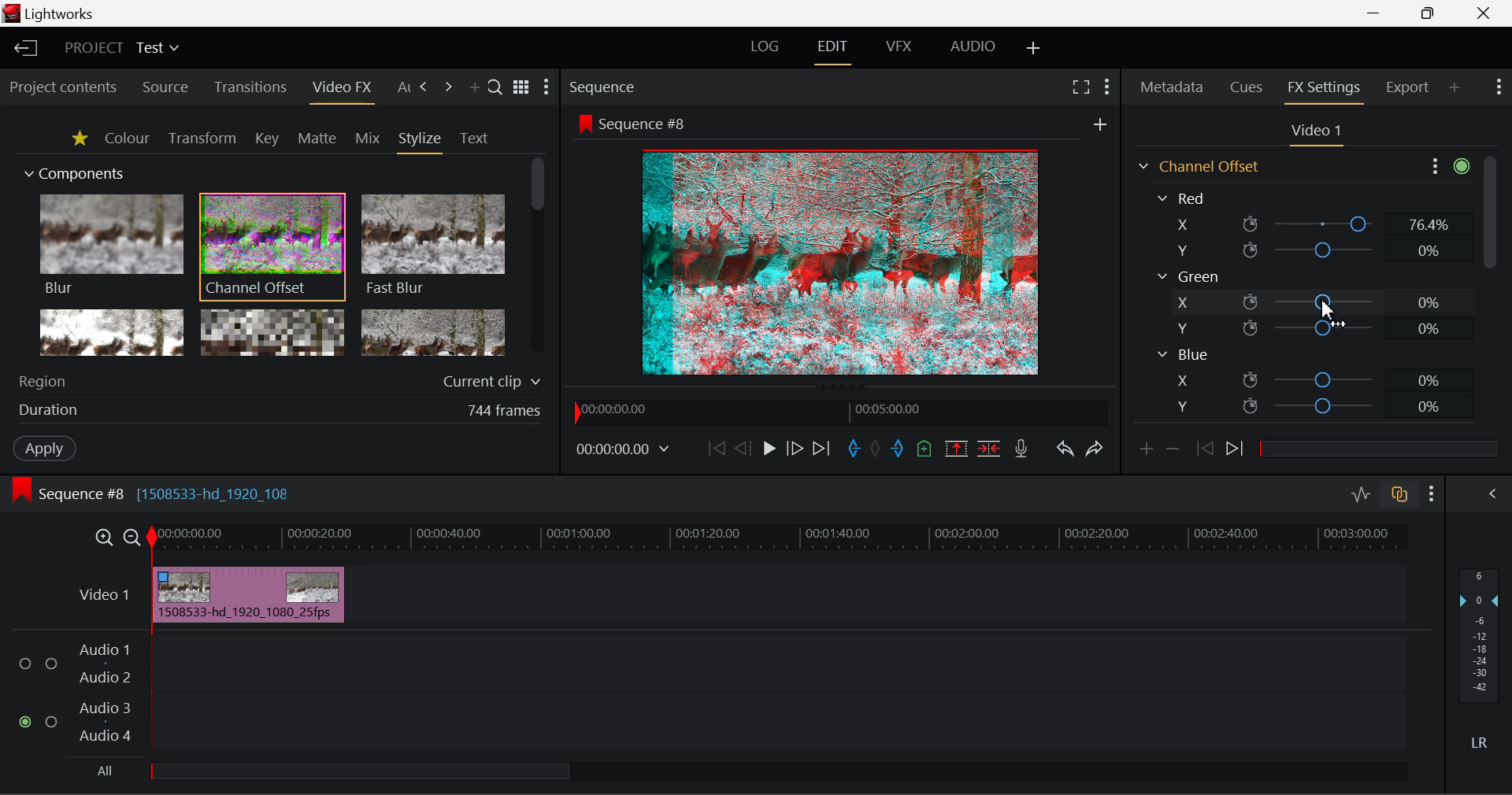 The width and height of the screenshot is (1512, 795). I want to click on To End, so click(825, 449).